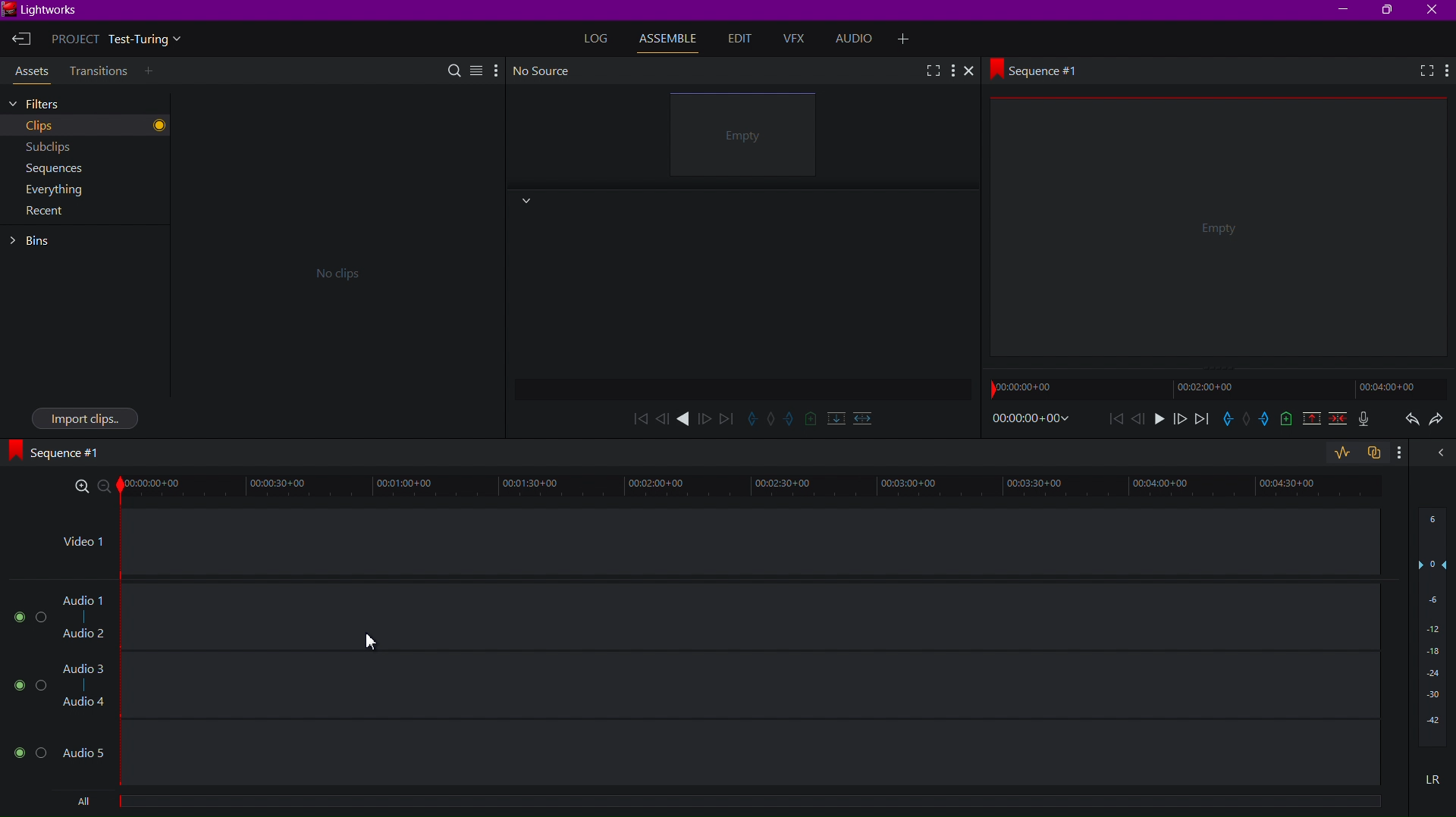  Describe the element at coordinates (61, 452) in the screenshot. I see `Sequence #1` at that location.